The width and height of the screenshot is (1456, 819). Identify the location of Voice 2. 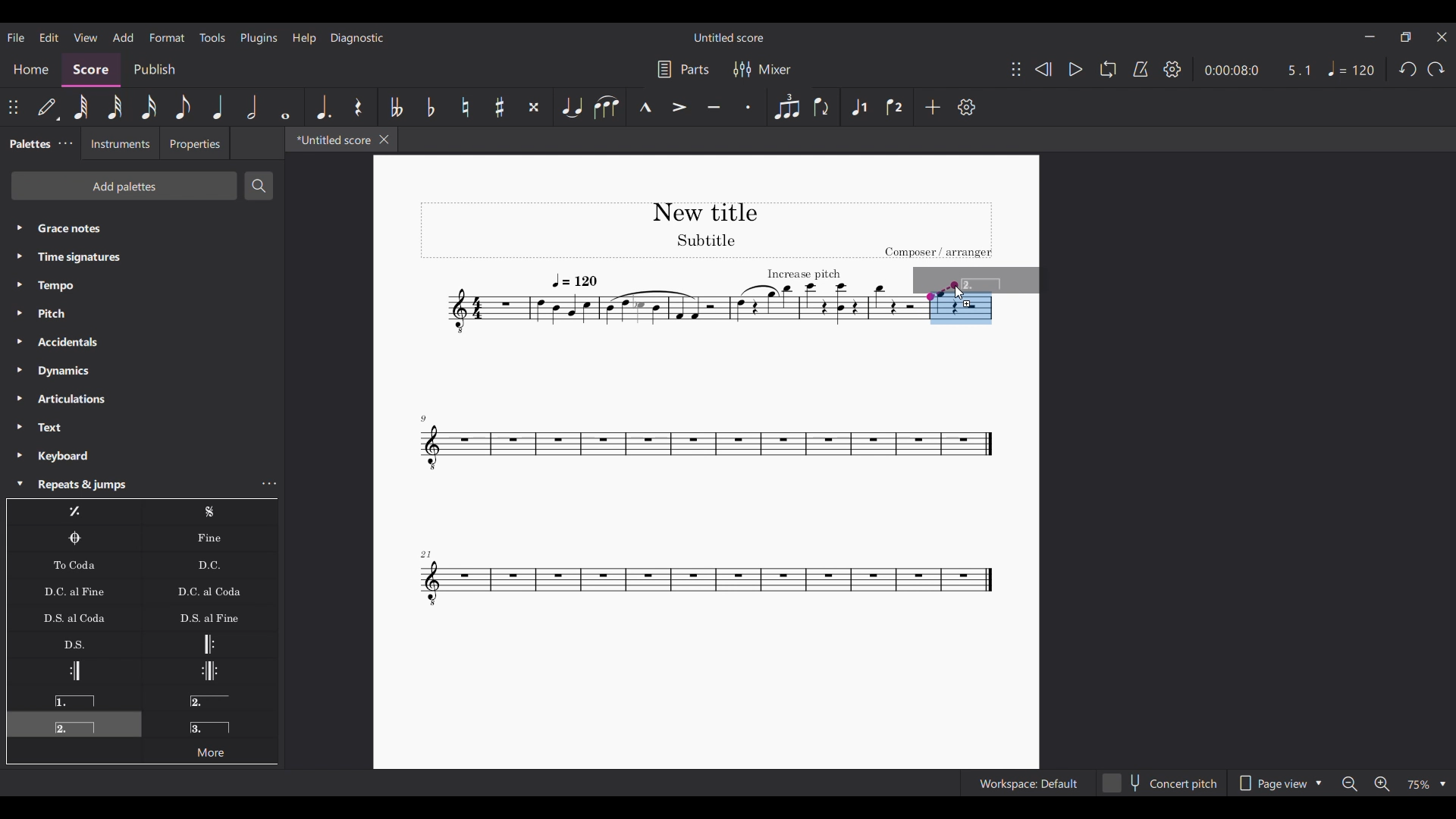
(896, 107).